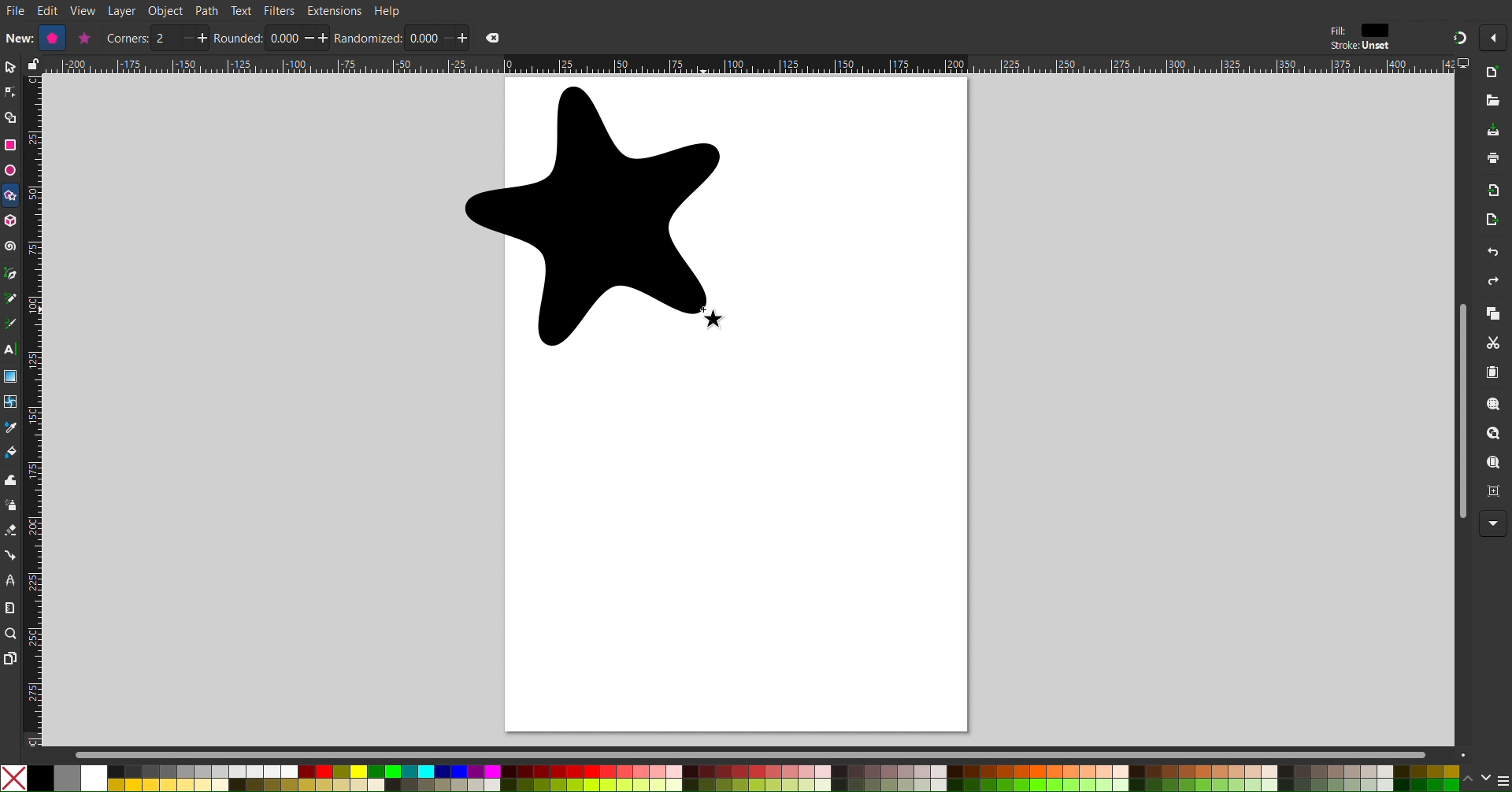 Image resolution: width=1512 pixels, height=792 pixels. What do you see at coordinates (1376, 30) in the screenshot?
I see `color` at bounding box center [1376, 30].